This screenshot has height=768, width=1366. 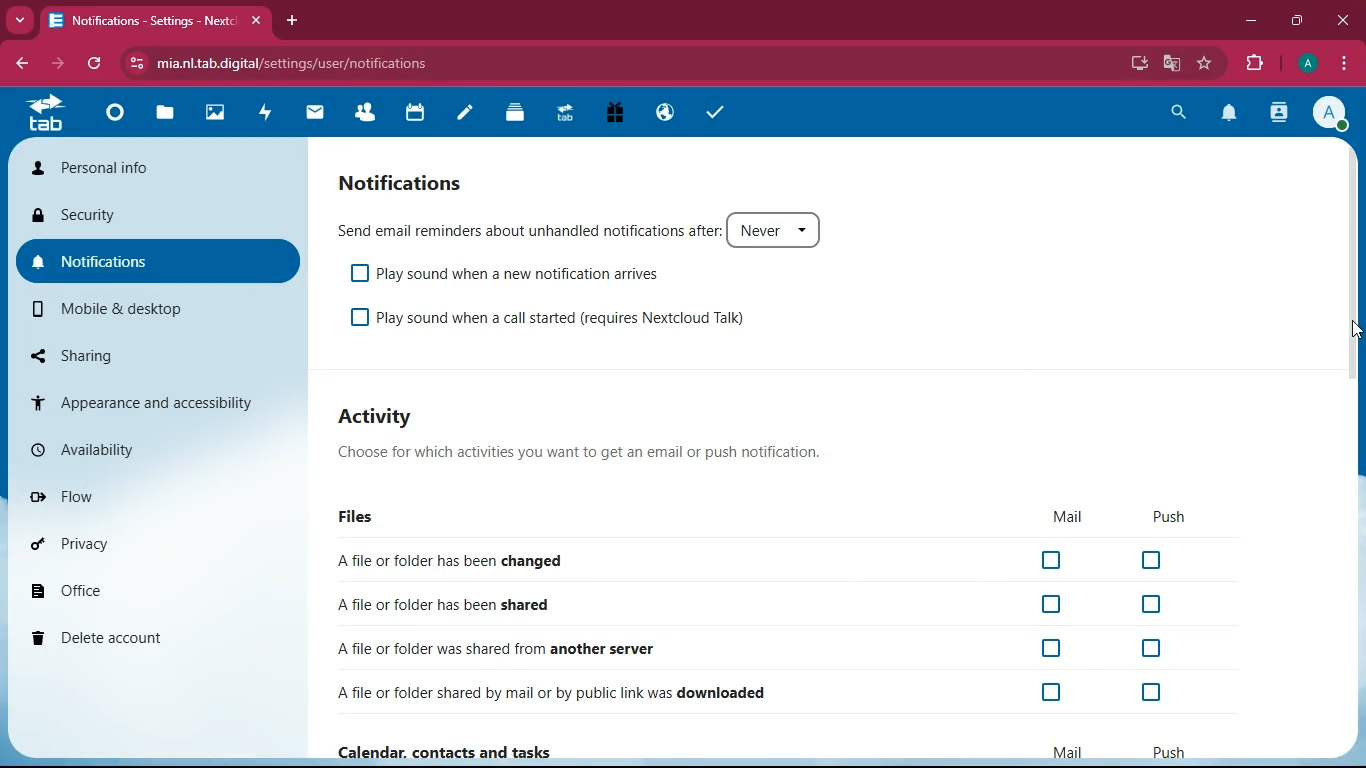 I want to click on notes, so click(x=464, y=116).